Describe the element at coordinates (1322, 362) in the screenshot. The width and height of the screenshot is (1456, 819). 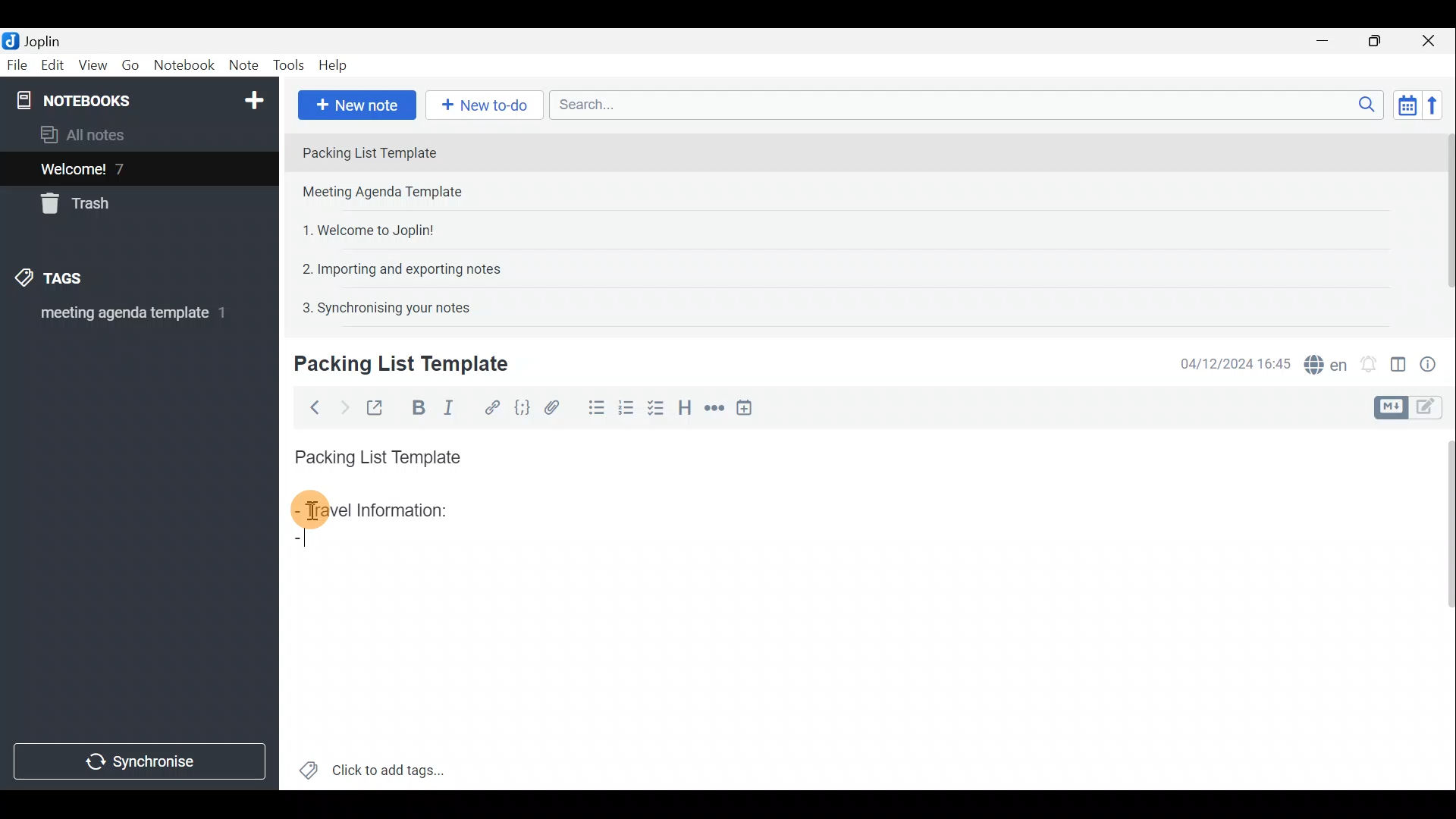
I see `Spell checker` at that location.